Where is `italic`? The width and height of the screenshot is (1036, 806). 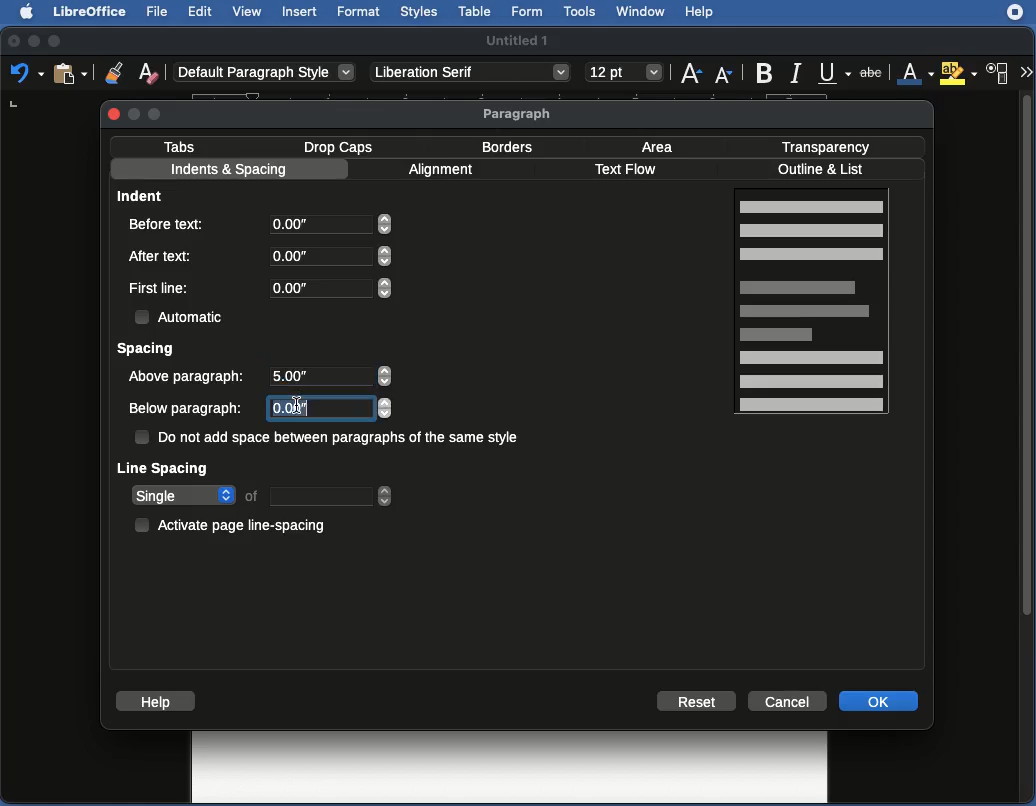 italic is located at coordinates (795, 71).